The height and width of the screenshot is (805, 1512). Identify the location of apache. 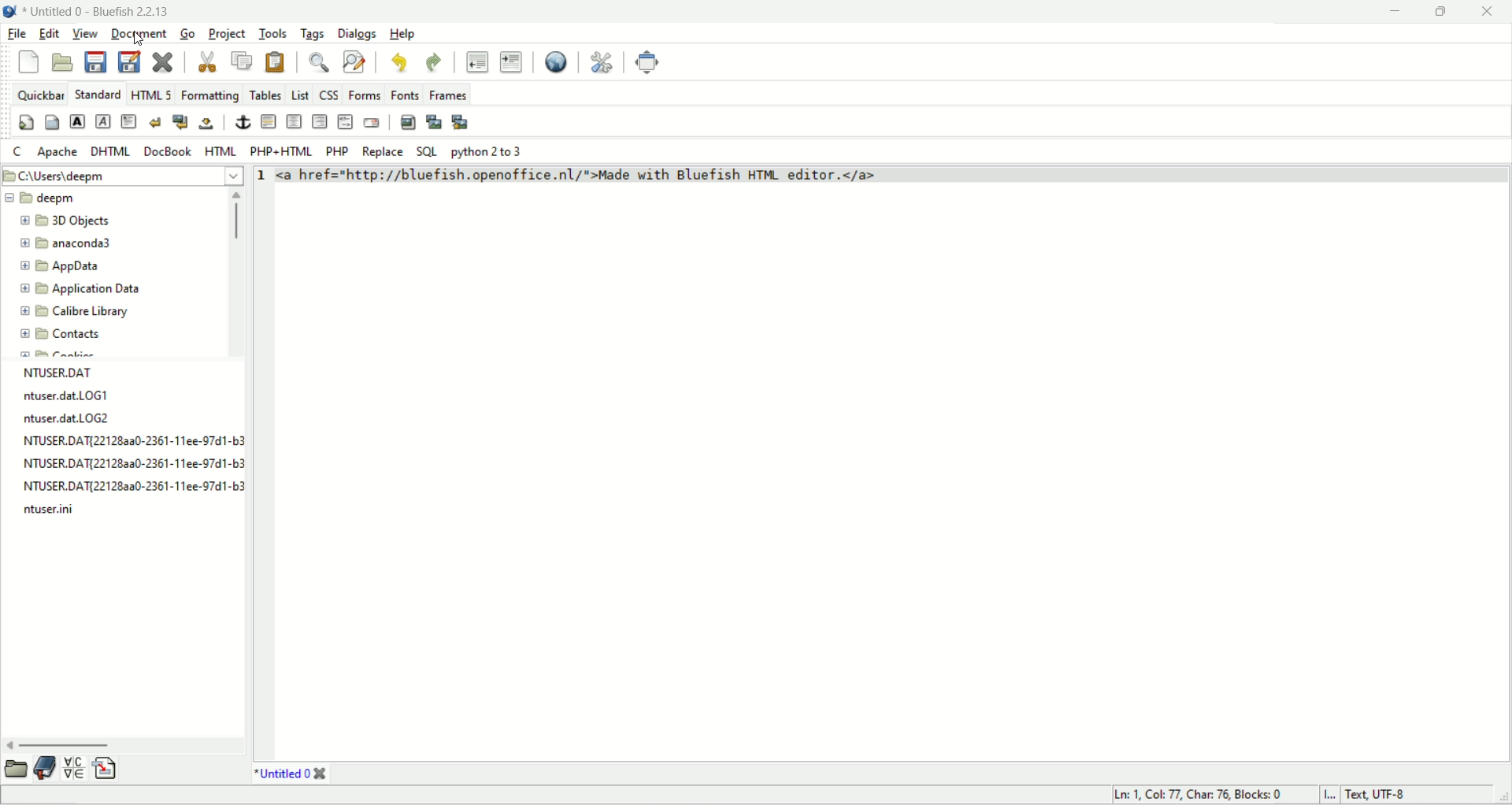
(57, 154).